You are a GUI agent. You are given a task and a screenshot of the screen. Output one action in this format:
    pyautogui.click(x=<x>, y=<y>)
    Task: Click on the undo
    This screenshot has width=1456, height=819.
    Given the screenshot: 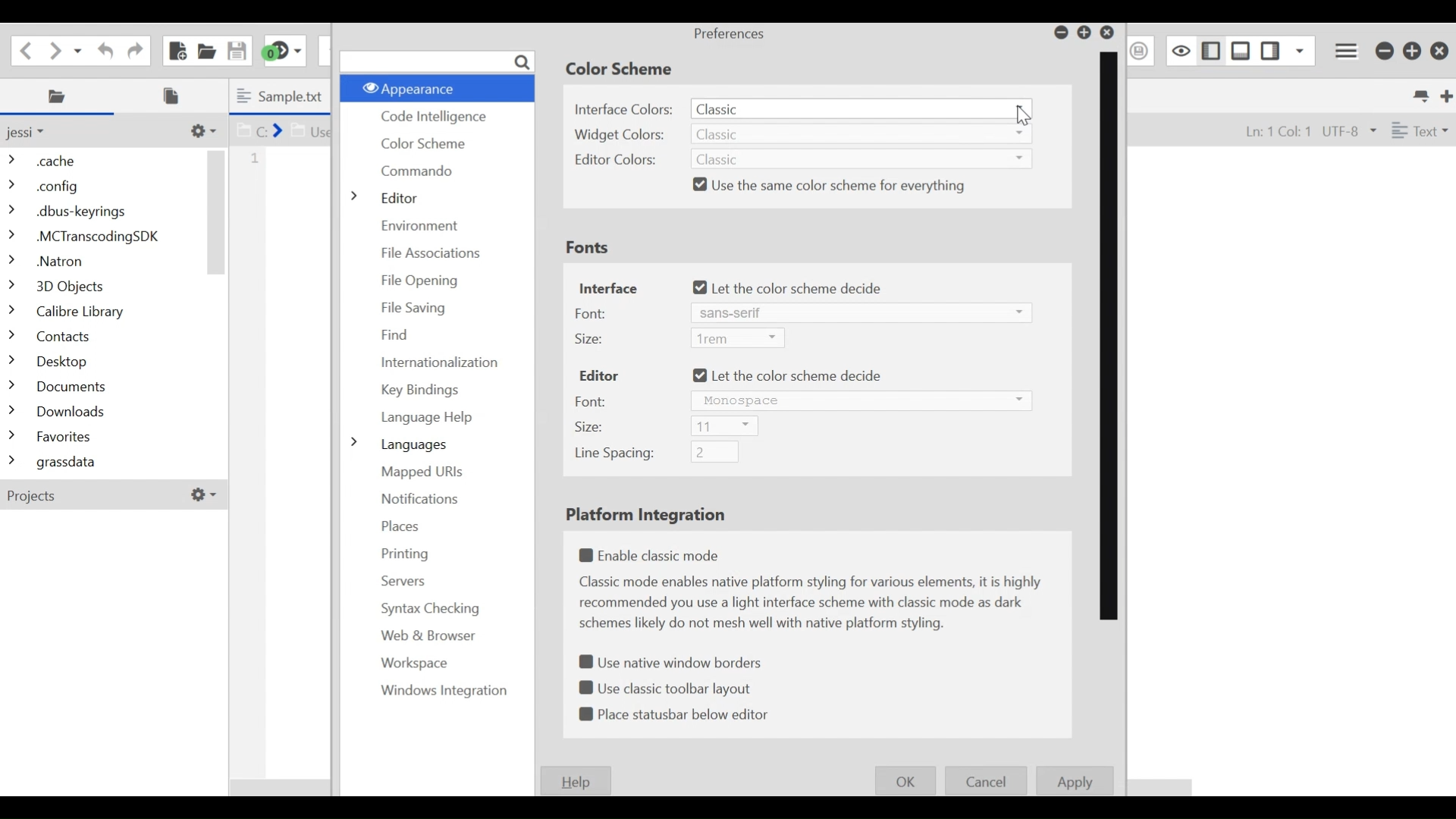 What is the action you would take?
    pyautogui.click(x=102, y=49)
    